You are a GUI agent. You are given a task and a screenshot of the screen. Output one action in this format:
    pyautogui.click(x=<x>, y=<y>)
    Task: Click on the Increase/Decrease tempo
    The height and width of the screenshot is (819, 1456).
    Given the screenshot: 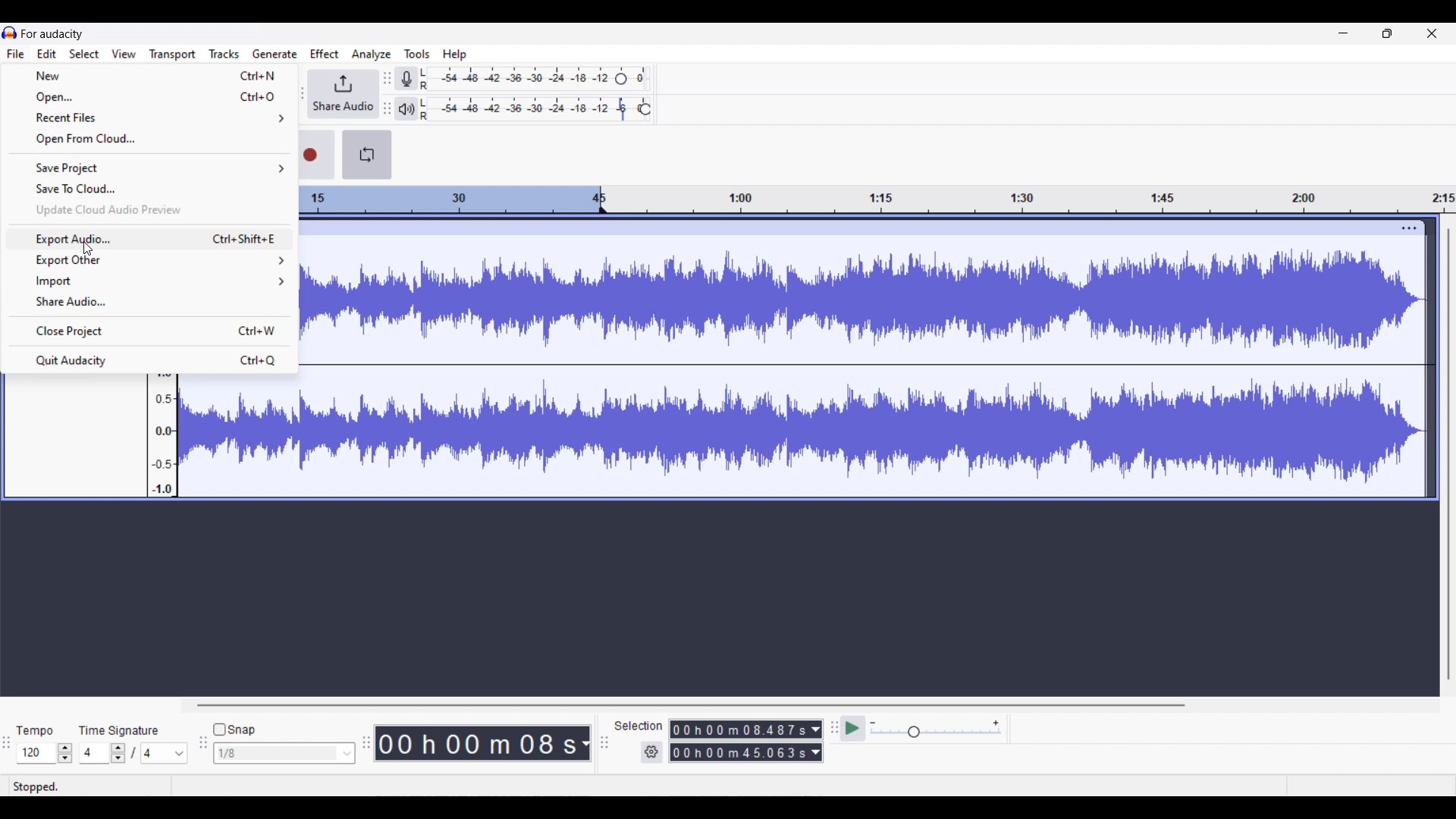 What is the action you would take?
    pyautogui.click(x=65, y=753)
    